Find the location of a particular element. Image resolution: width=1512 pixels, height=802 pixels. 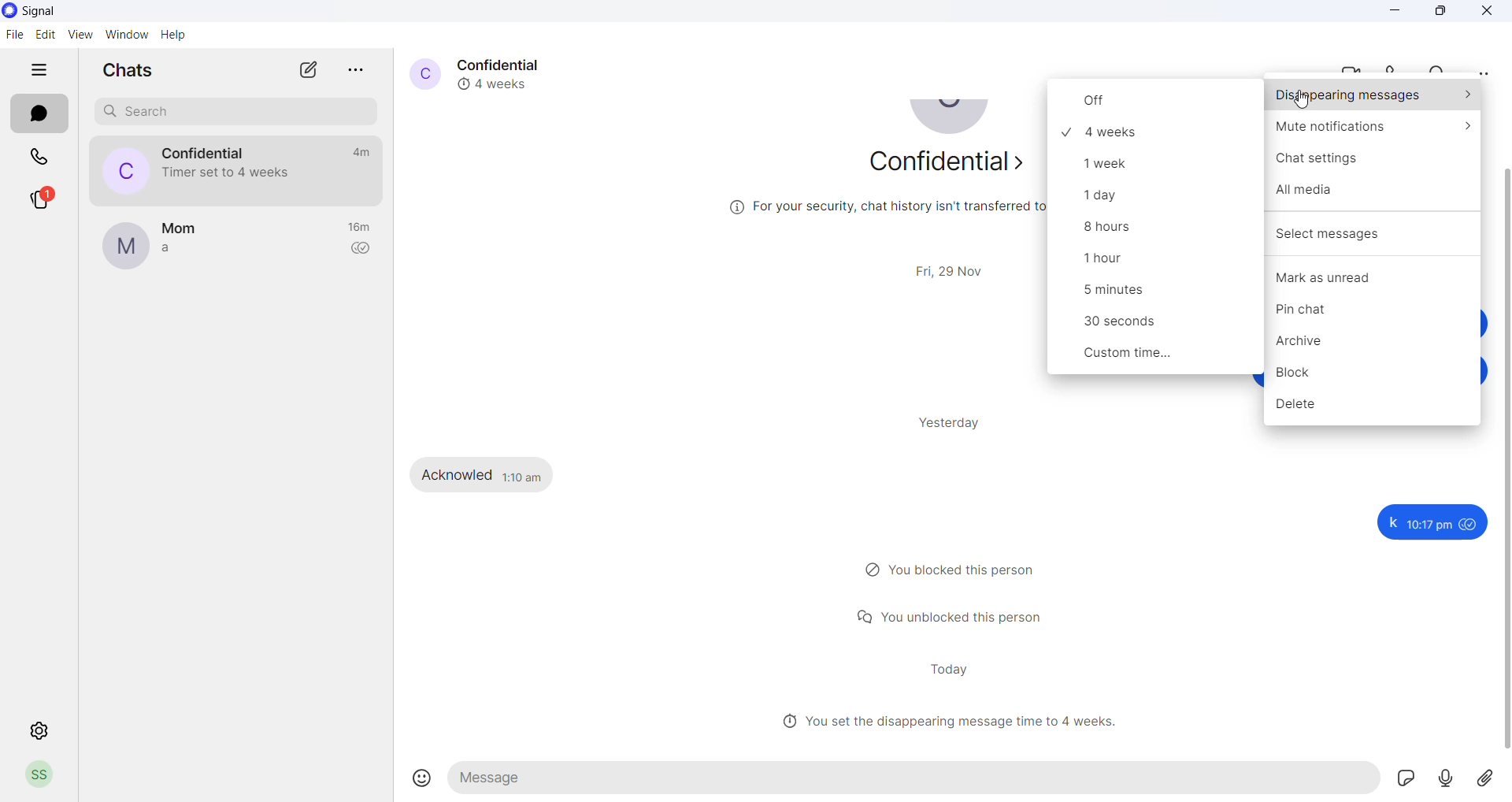

block is located at coordinates (1377, 377).